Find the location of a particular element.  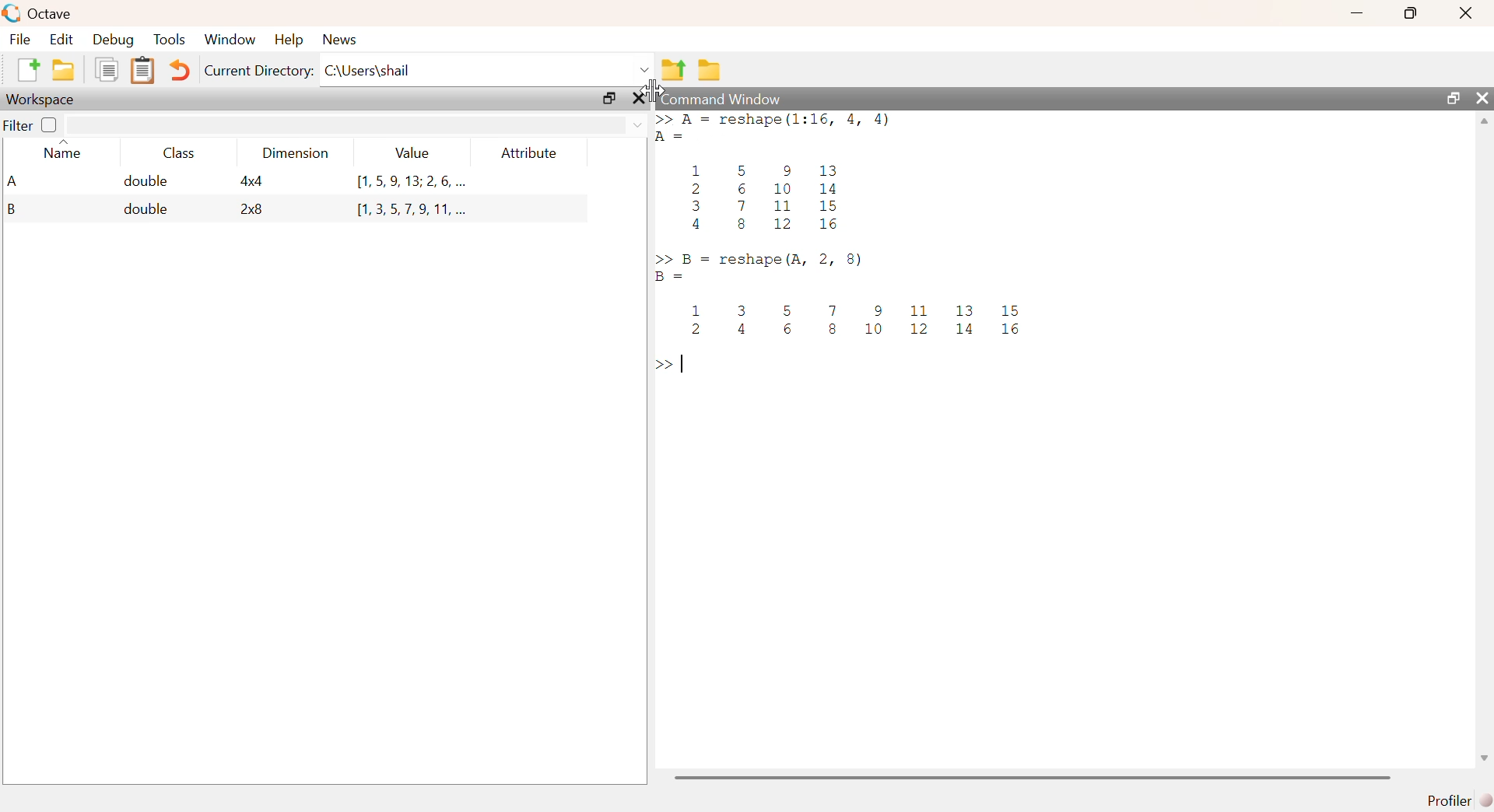

close is located at coordinates (1484, 99).